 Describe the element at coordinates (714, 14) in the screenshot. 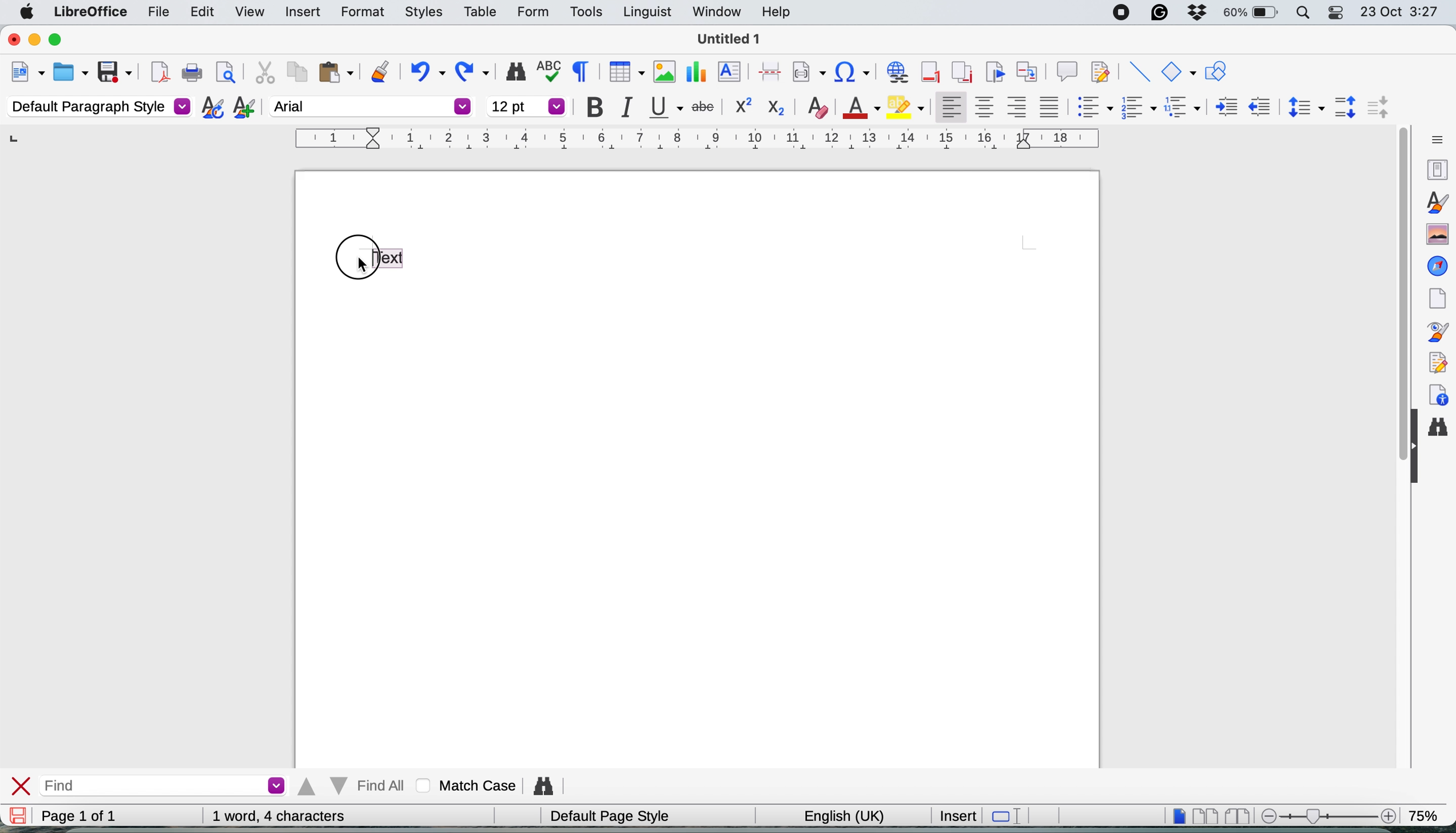

I see `window` at that location.